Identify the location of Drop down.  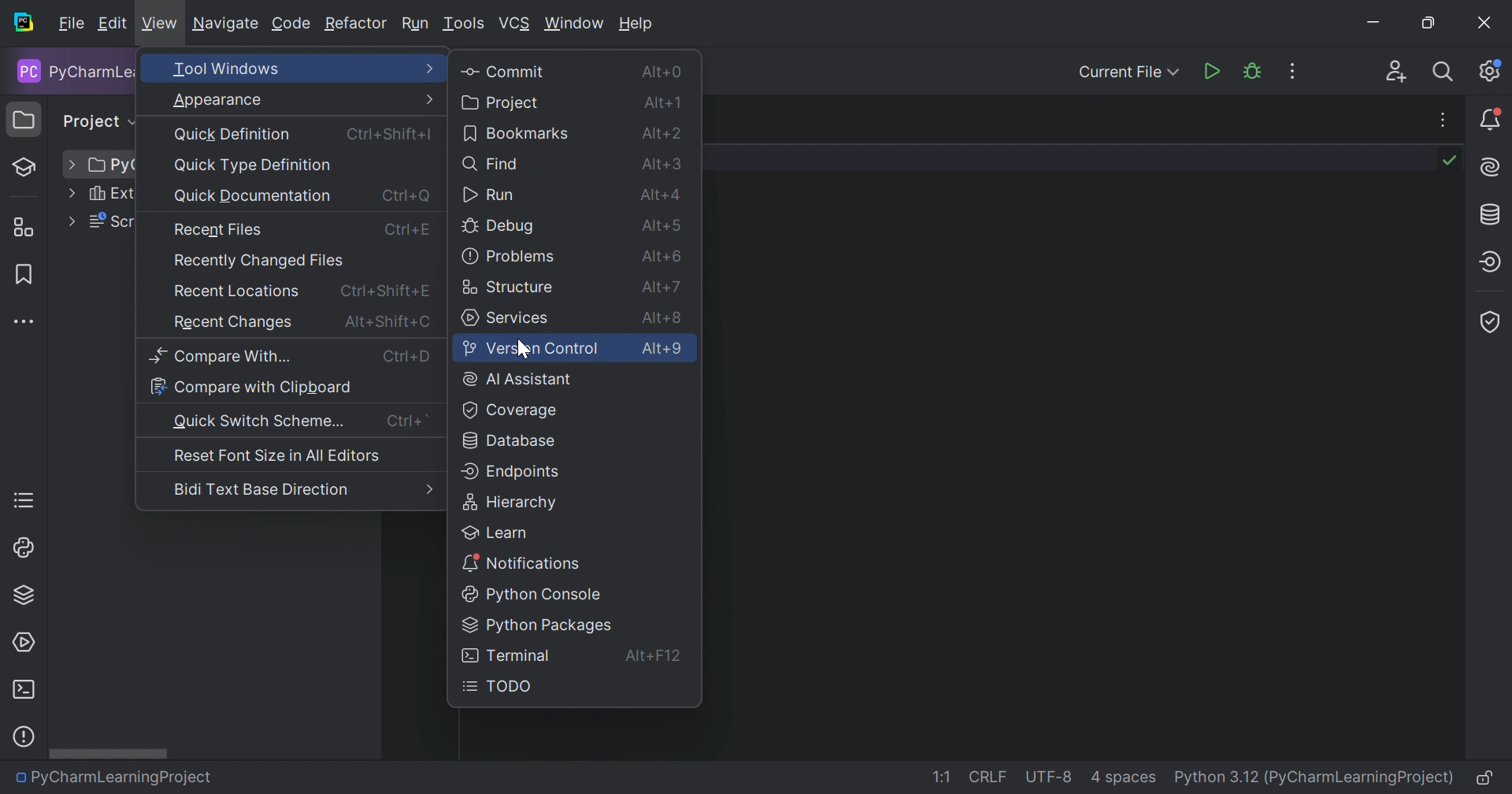
(69, 220).